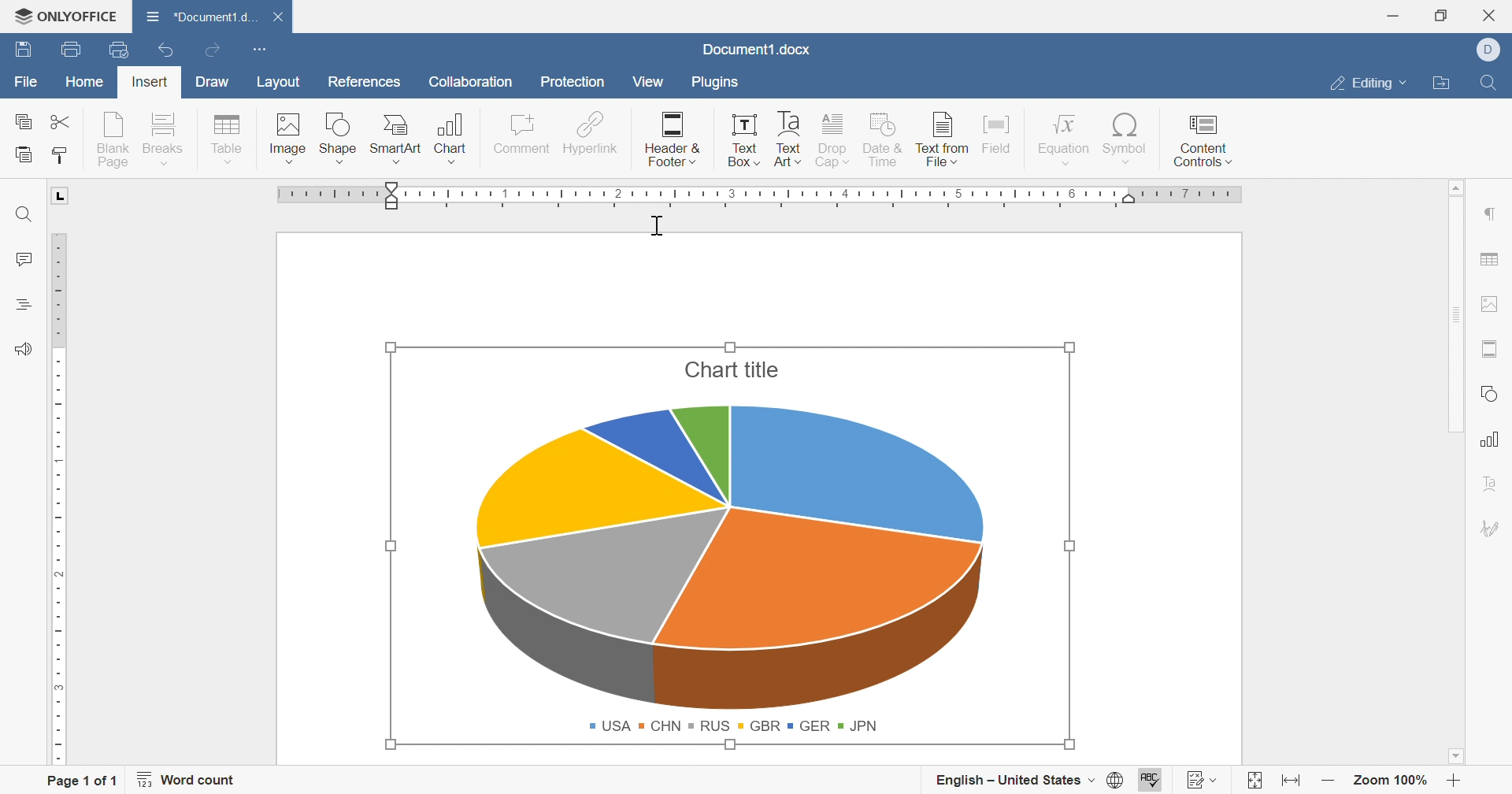  What do you see at coordinates (1191, 779) in the screenshot?
I see `Track changes` at bounding box center [1191, 779].